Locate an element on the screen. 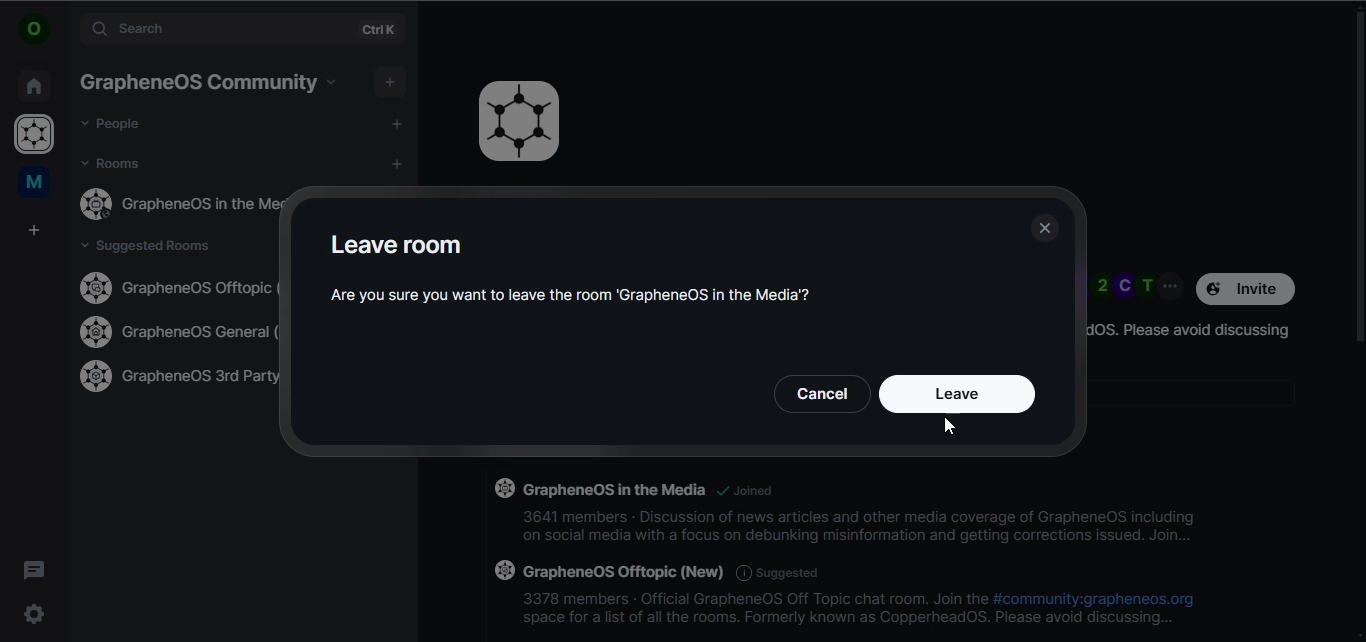 This screenshot has height=642, width=1366. suggested rooms is located at coordinates (154, 247).